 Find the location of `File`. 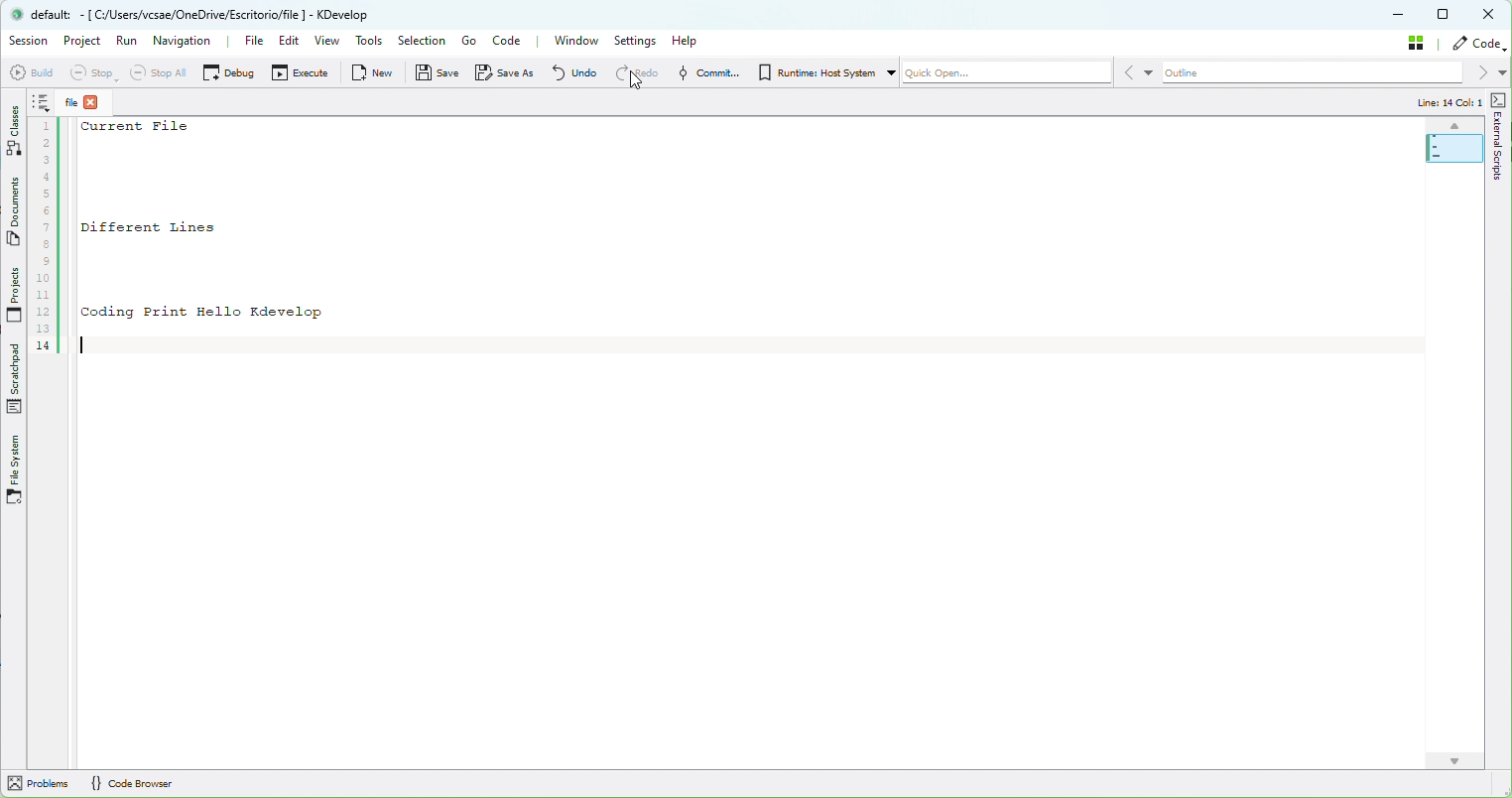

File is located at coordinates (252, 40).